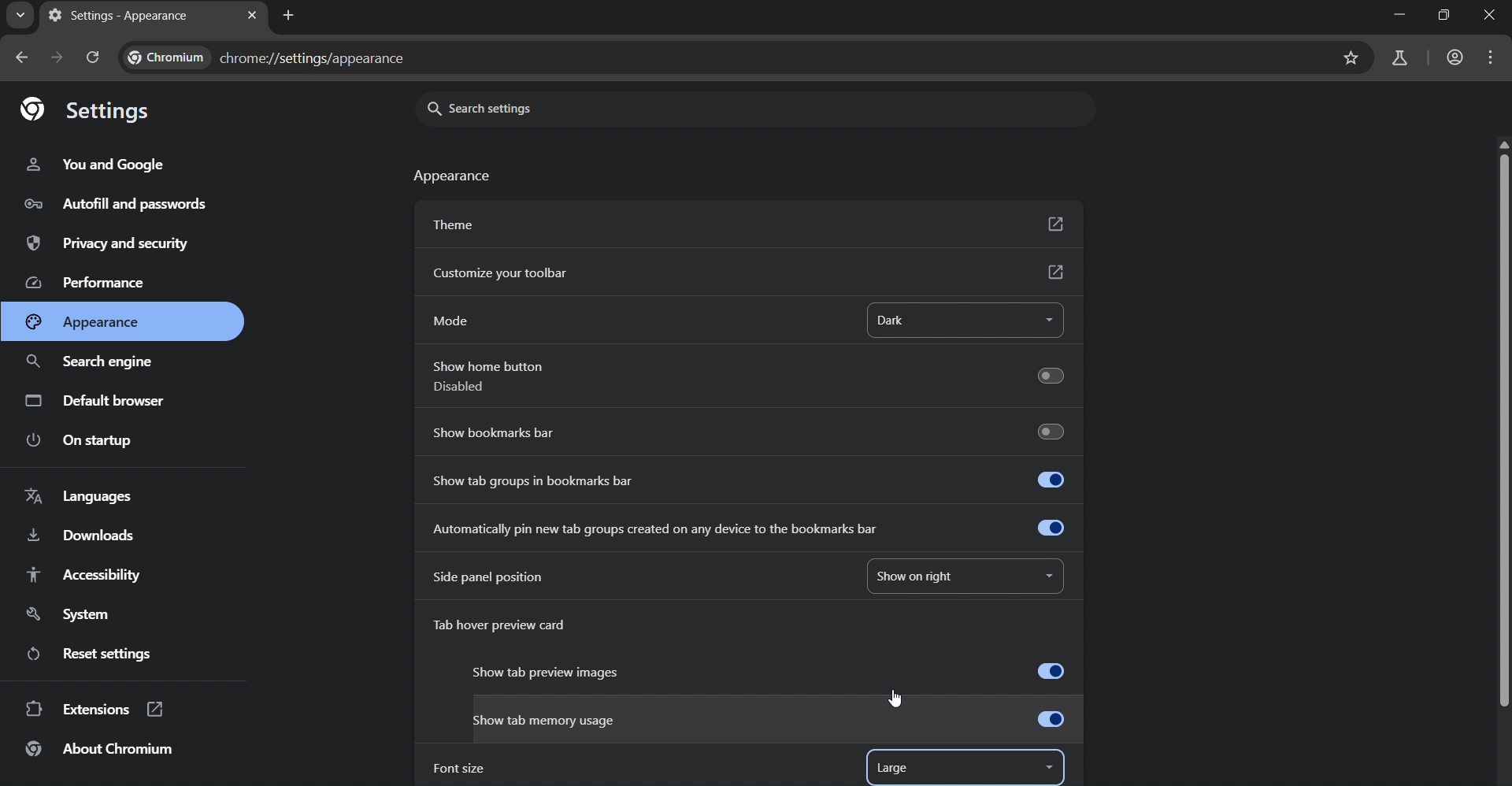  I want to click on languages, so click(85, 495).